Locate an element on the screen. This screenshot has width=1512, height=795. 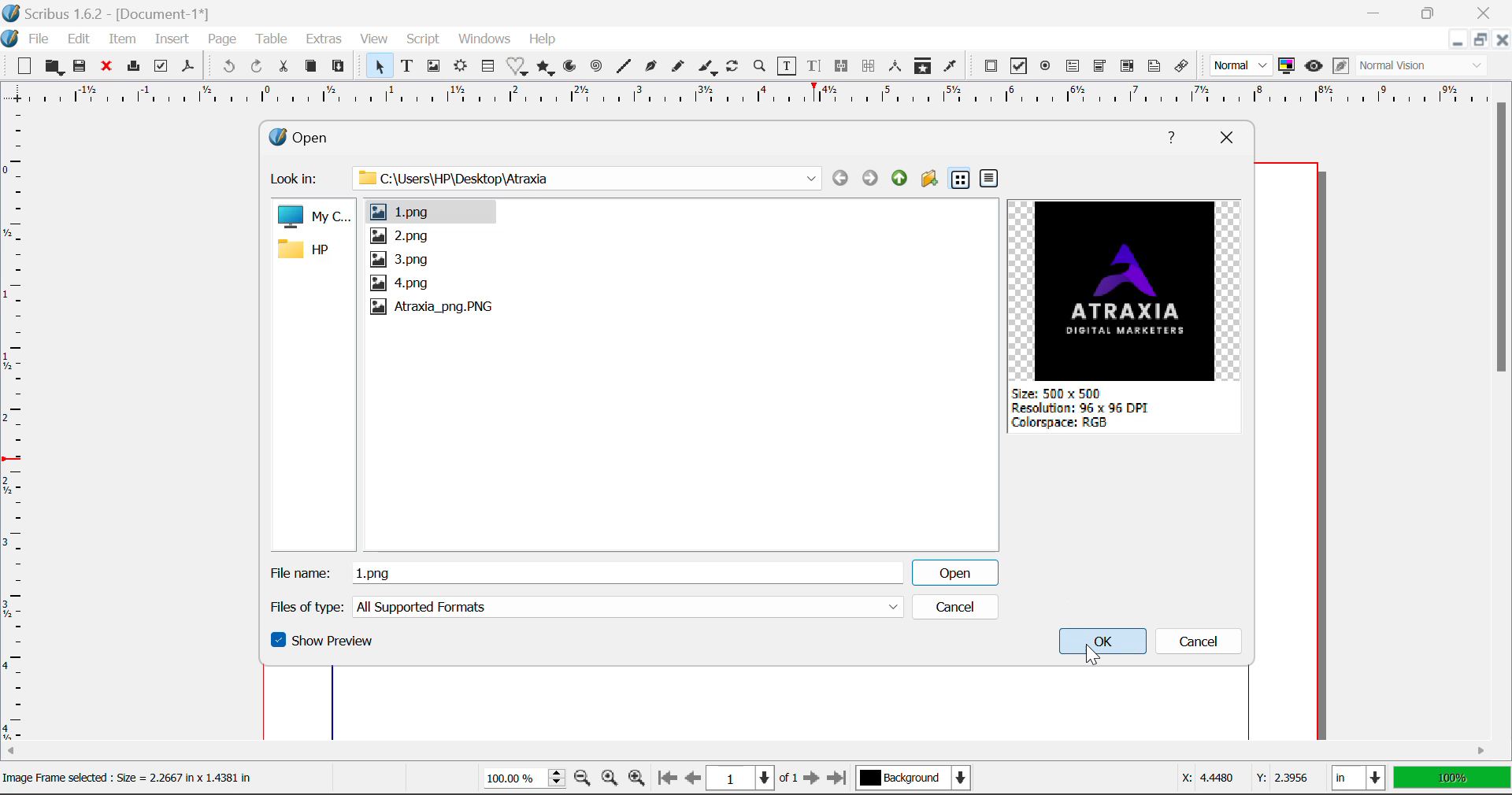
Insert Special Shapes is located at coordinates (518, 68).